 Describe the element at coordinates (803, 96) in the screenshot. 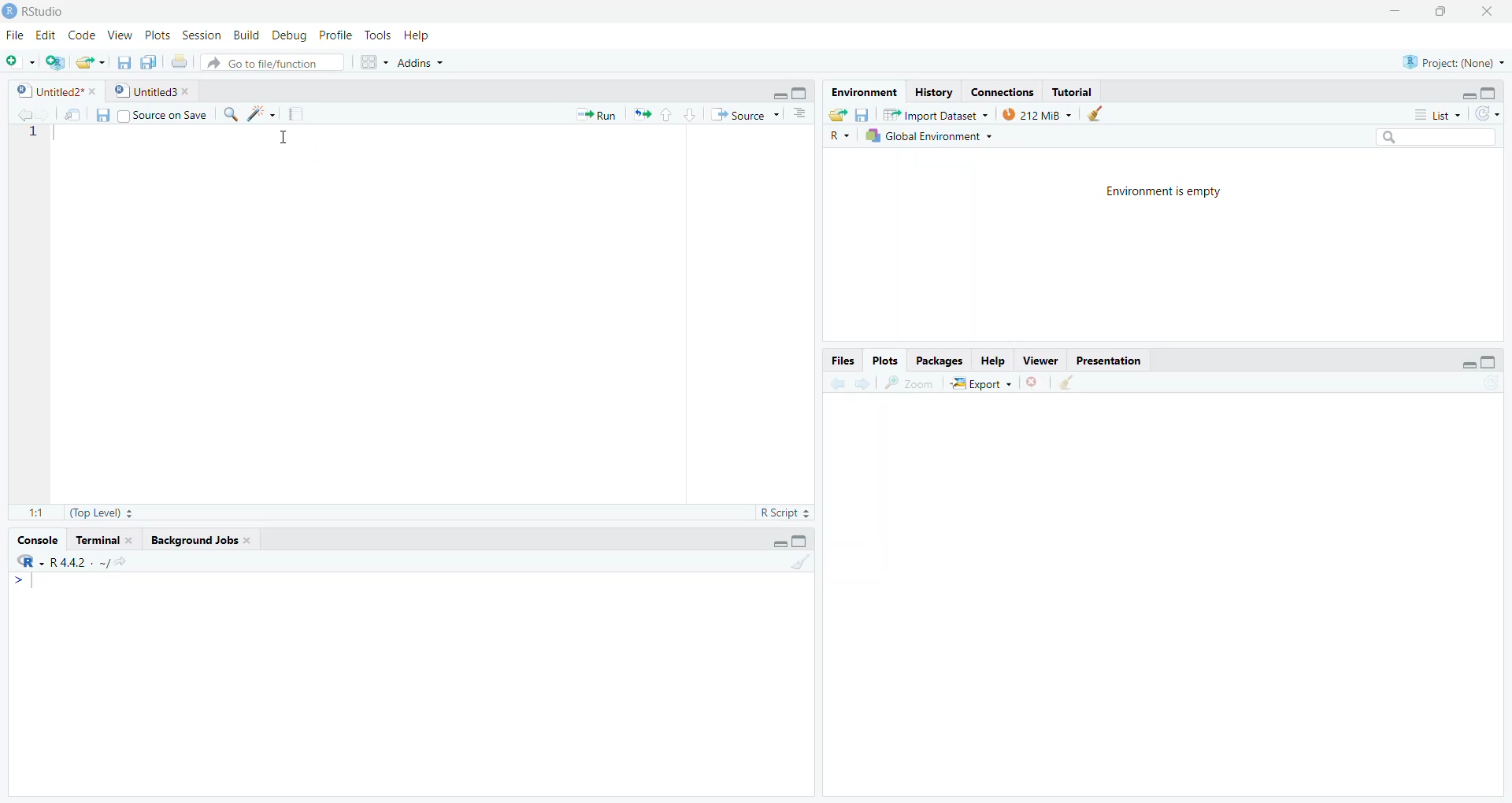

I see `maximize` at that location.